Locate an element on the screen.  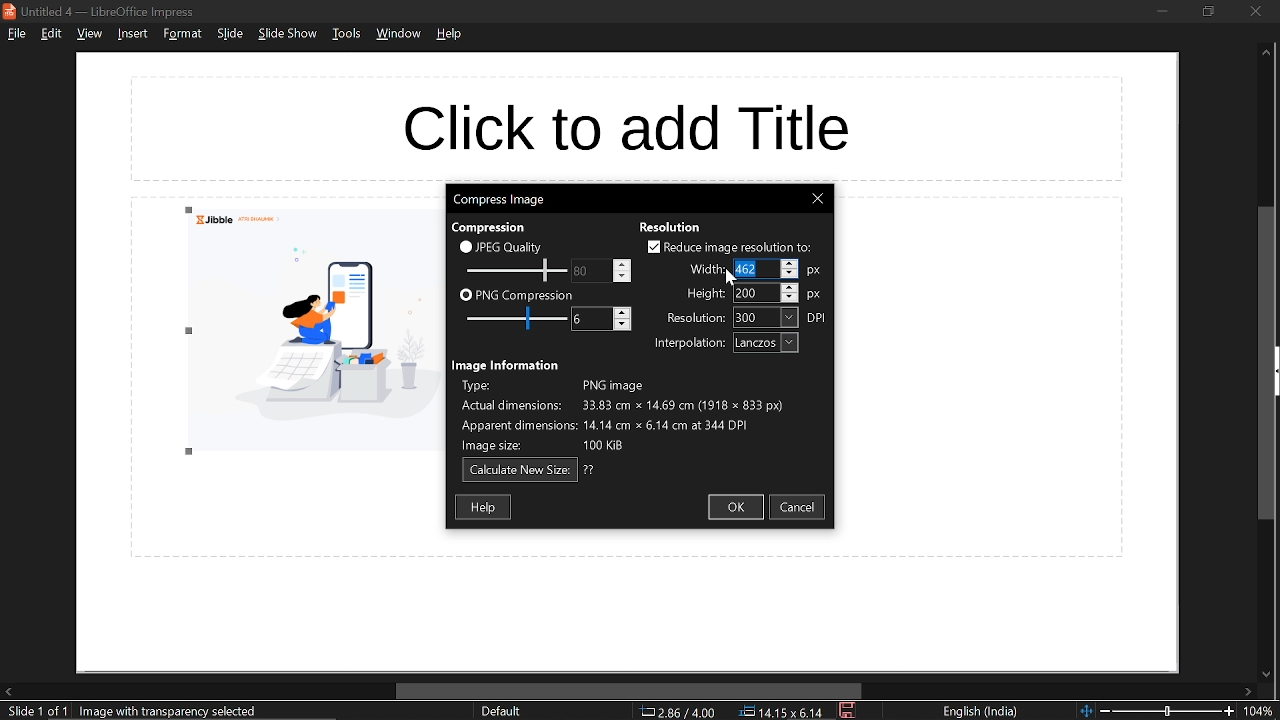
height is located at coordinates (703, 294).